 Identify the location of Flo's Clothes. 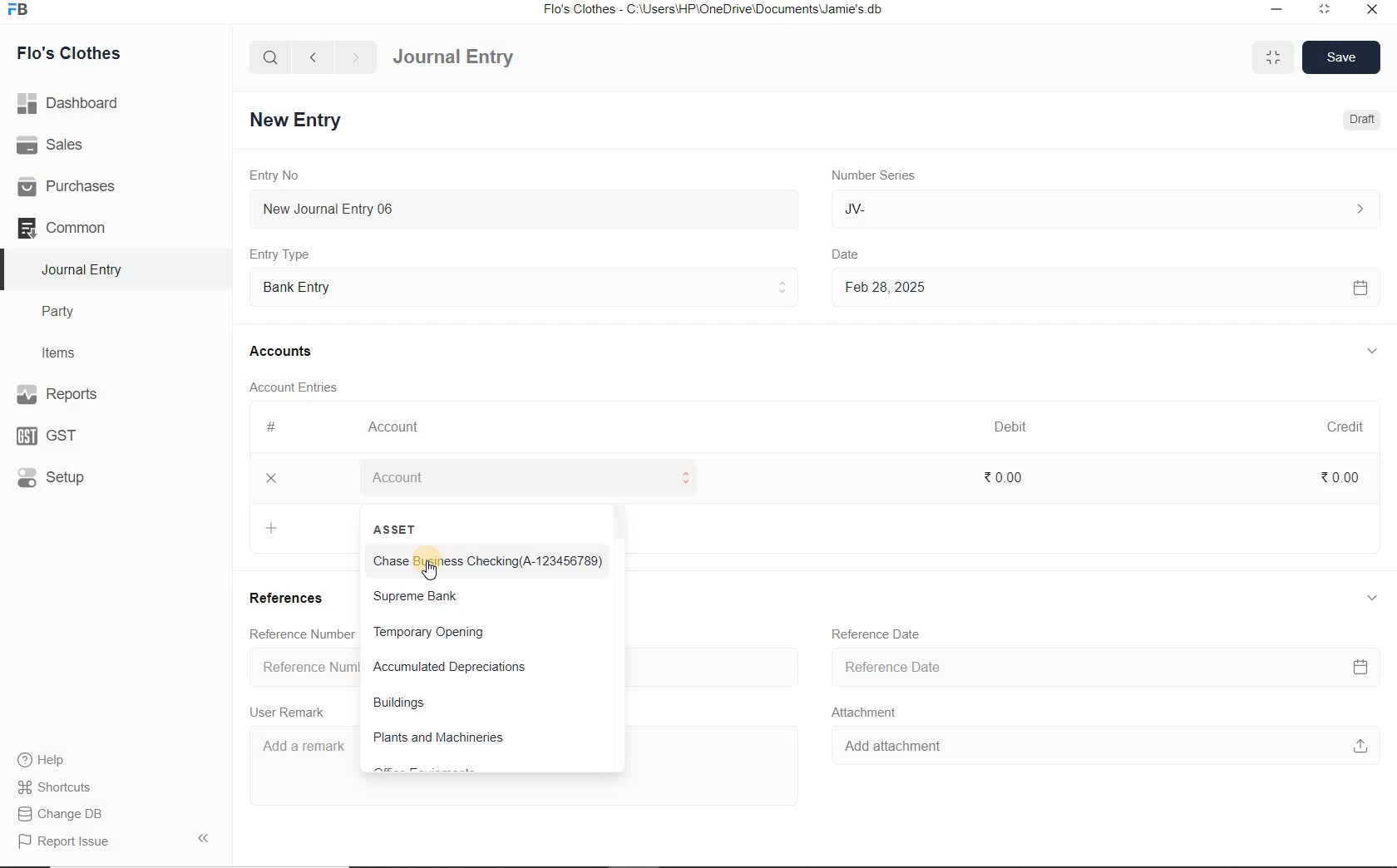
(81, 53).